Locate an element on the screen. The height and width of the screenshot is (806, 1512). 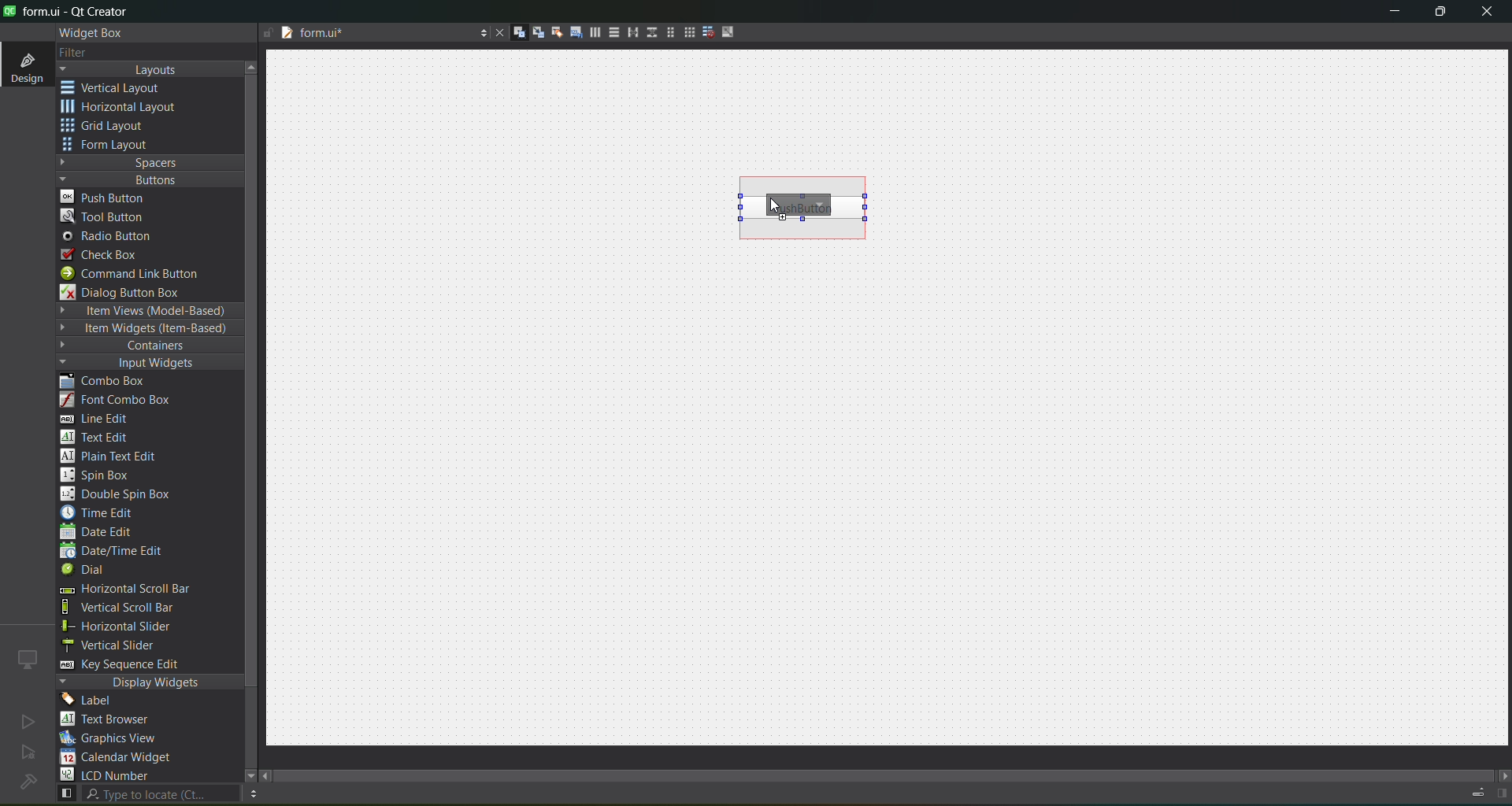
edit widgets is located at coordinates (513, 33).